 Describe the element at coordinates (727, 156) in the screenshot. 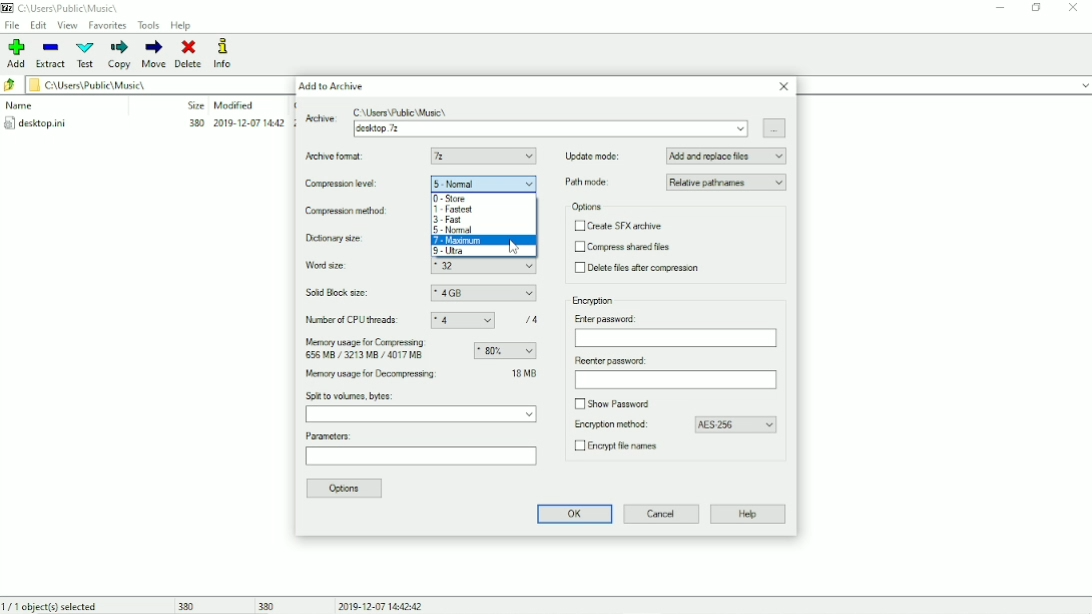

I see `Add and replace files` at that location.